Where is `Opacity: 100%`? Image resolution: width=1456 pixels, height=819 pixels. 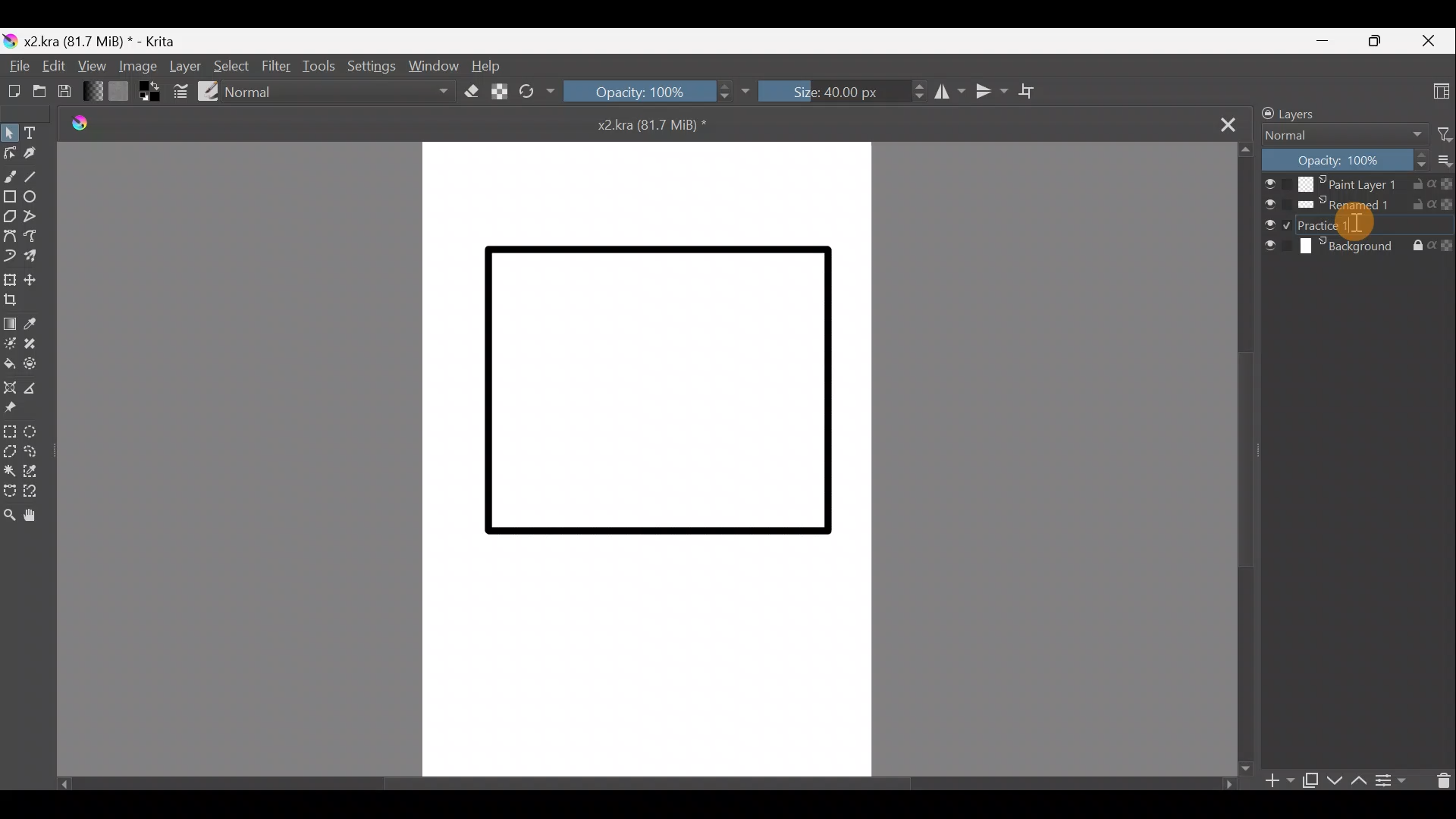
Opacity: 100% is located at coordinates (1345, 159).